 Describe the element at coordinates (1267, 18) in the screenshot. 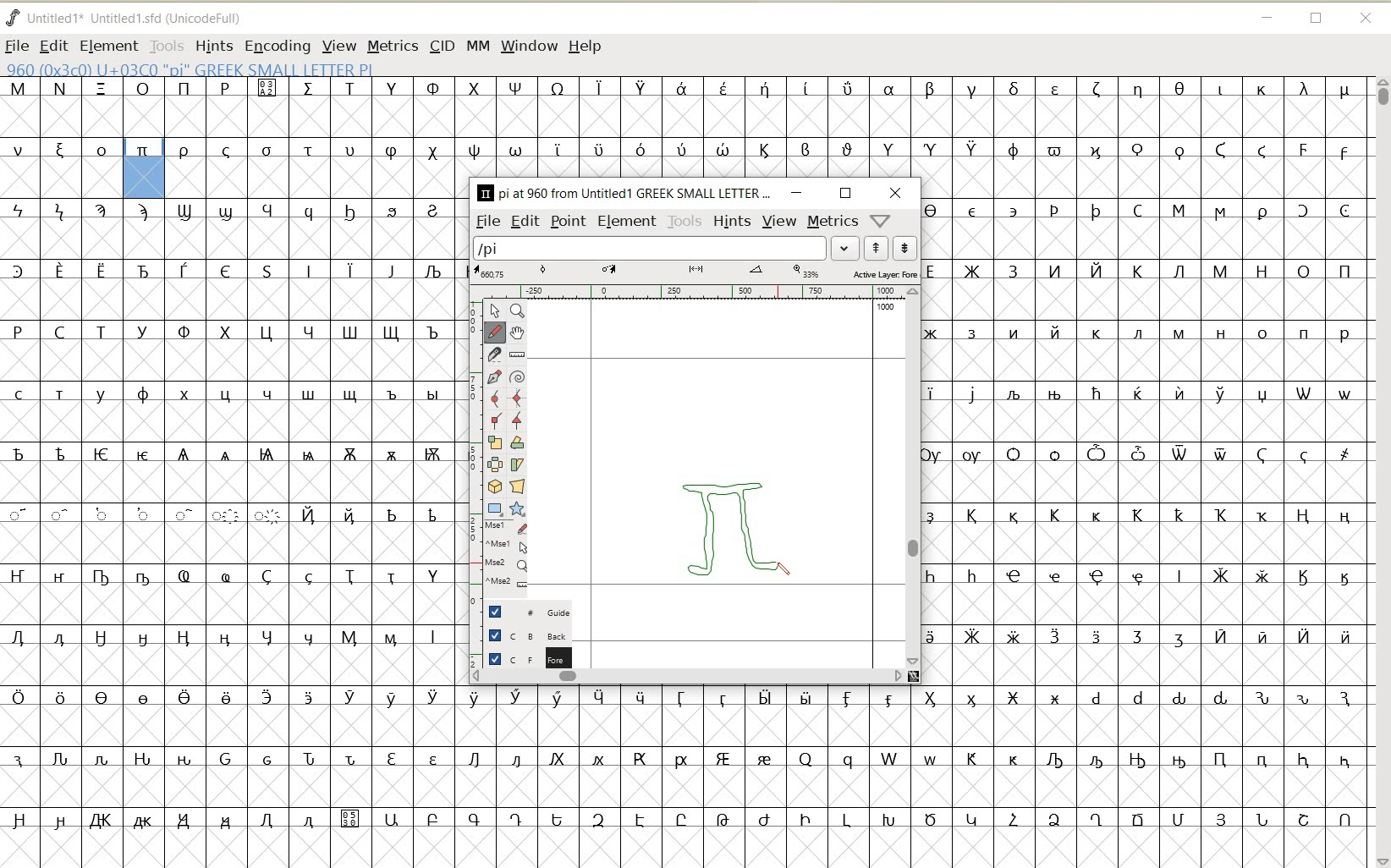

I see `MINIMIZE` at that location.